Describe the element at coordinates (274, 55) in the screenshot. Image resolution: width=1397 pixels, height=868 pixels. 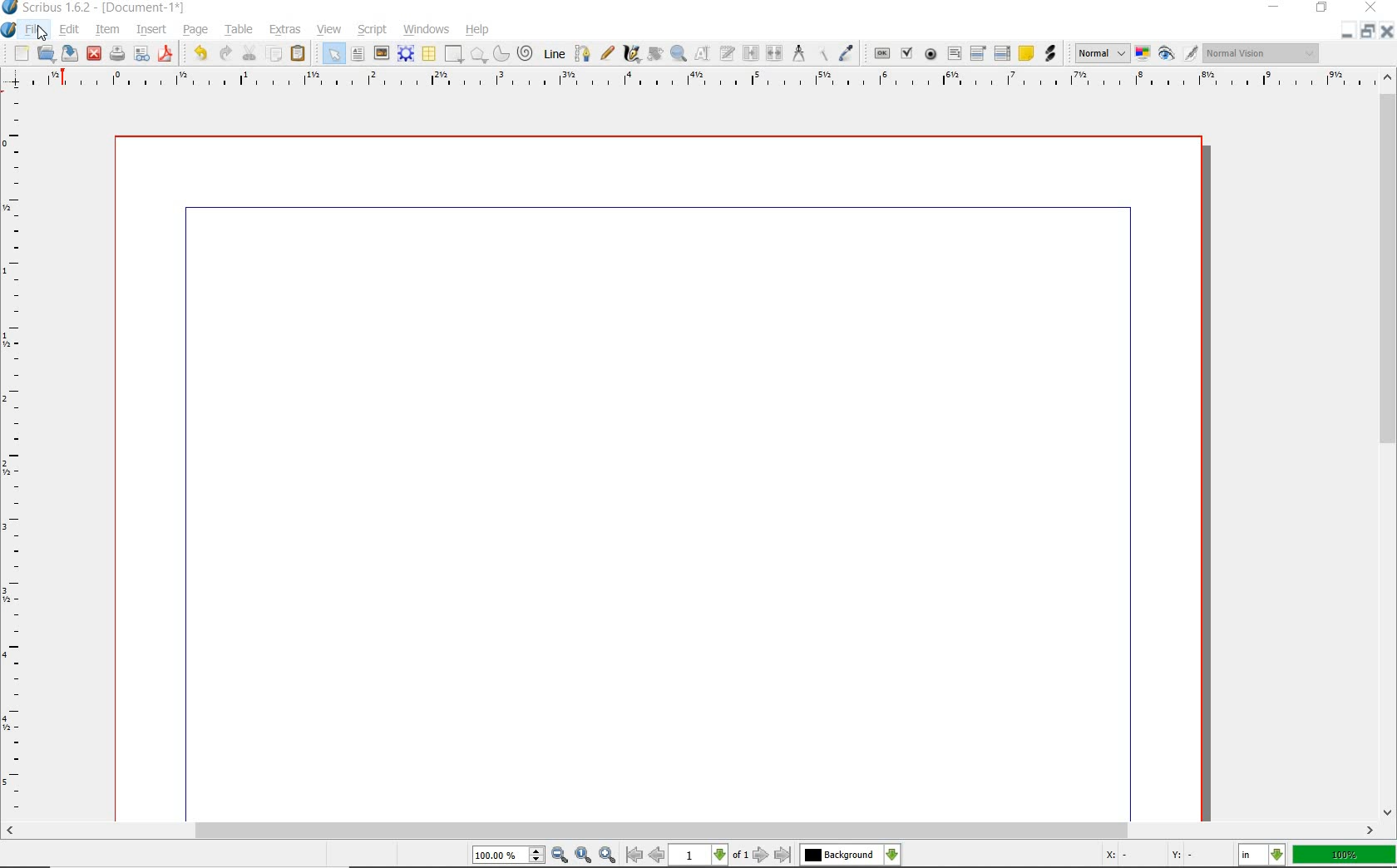
I see `copy` at that location.